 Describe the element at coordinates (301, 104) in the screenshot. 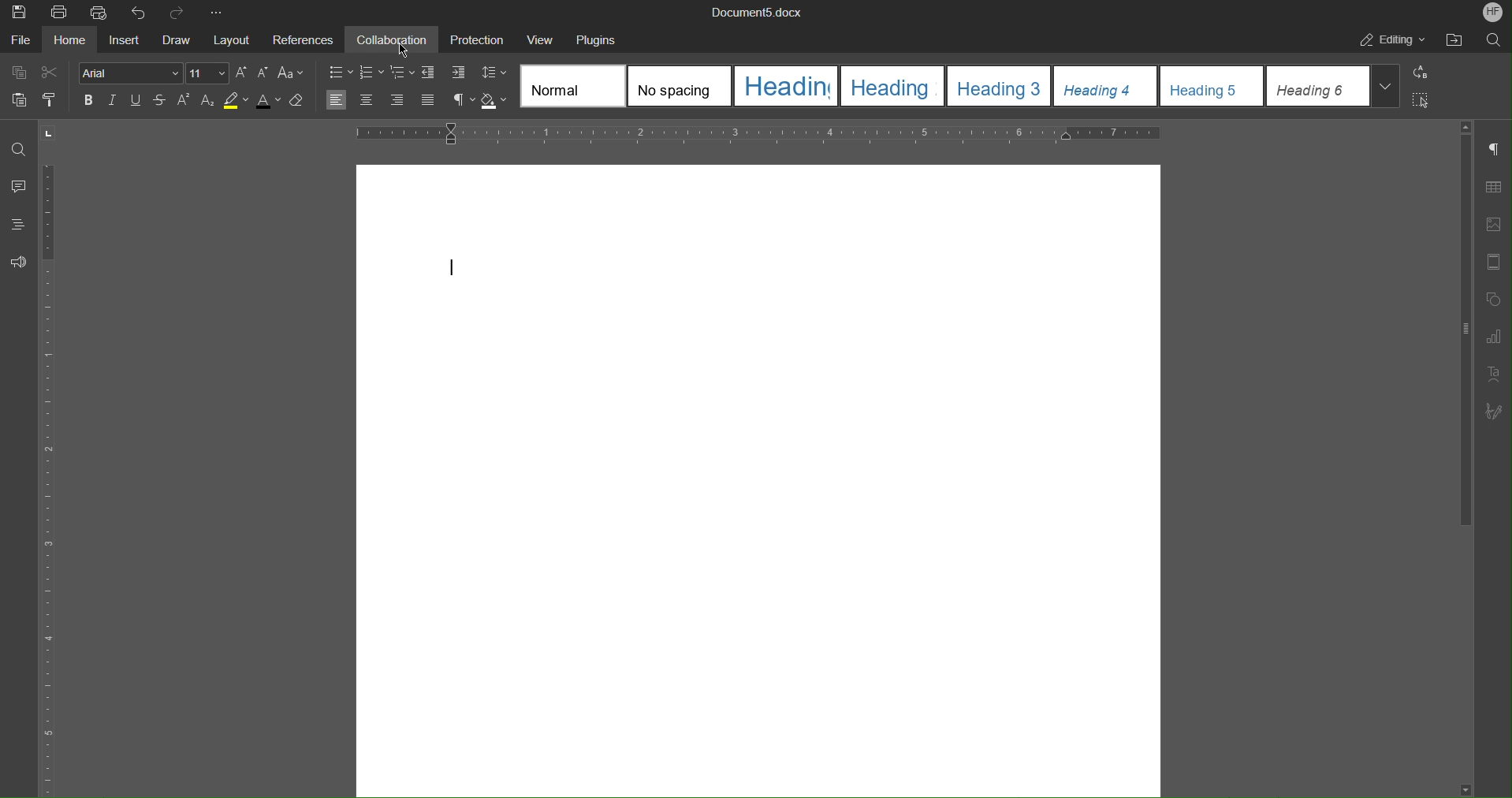

I see `Erase Style` at that location.